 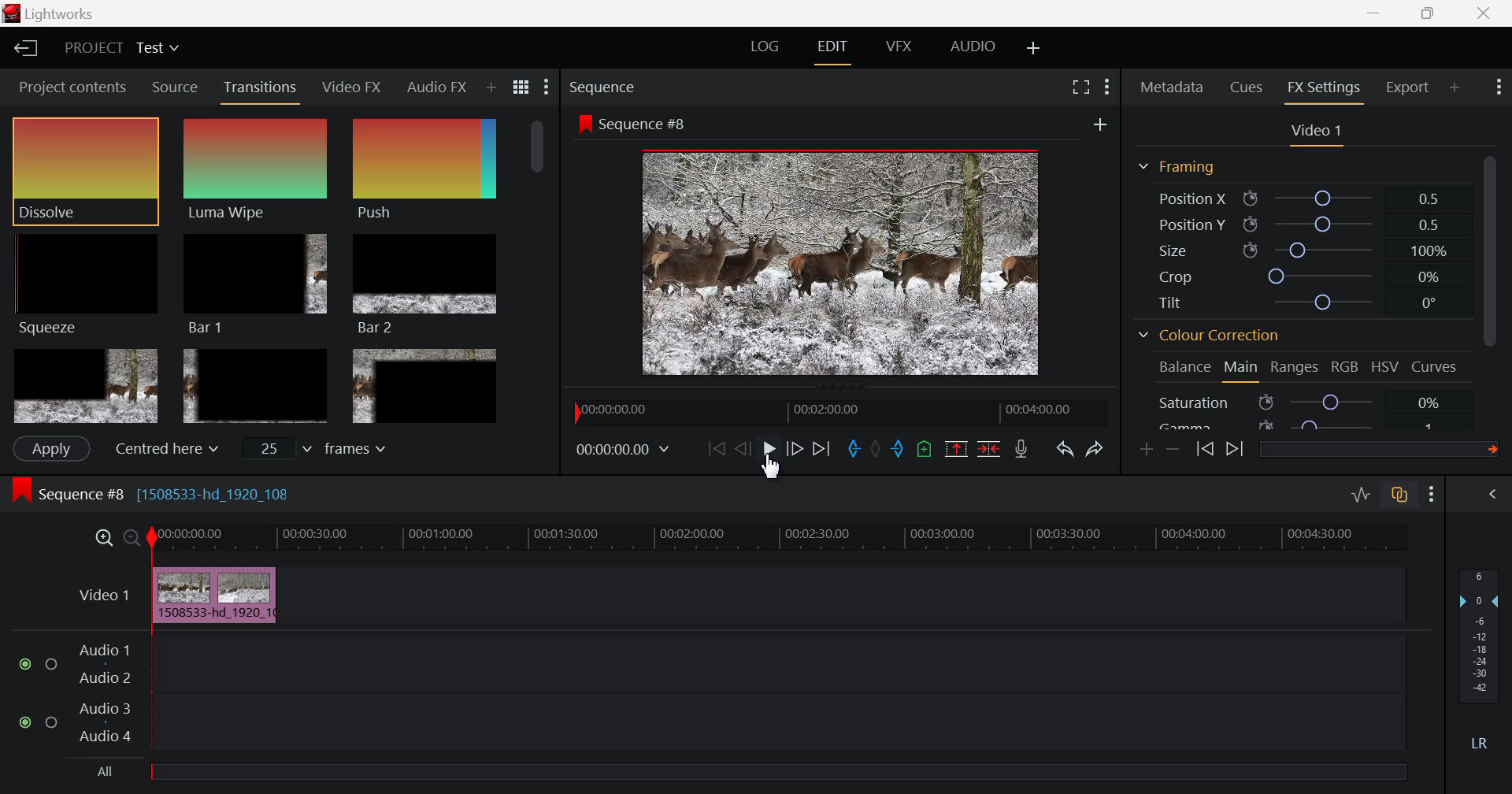 What do you see at coordinates (490, 89) in the screenshot?
I see `Add Panel` at bounding box center [490, 89].